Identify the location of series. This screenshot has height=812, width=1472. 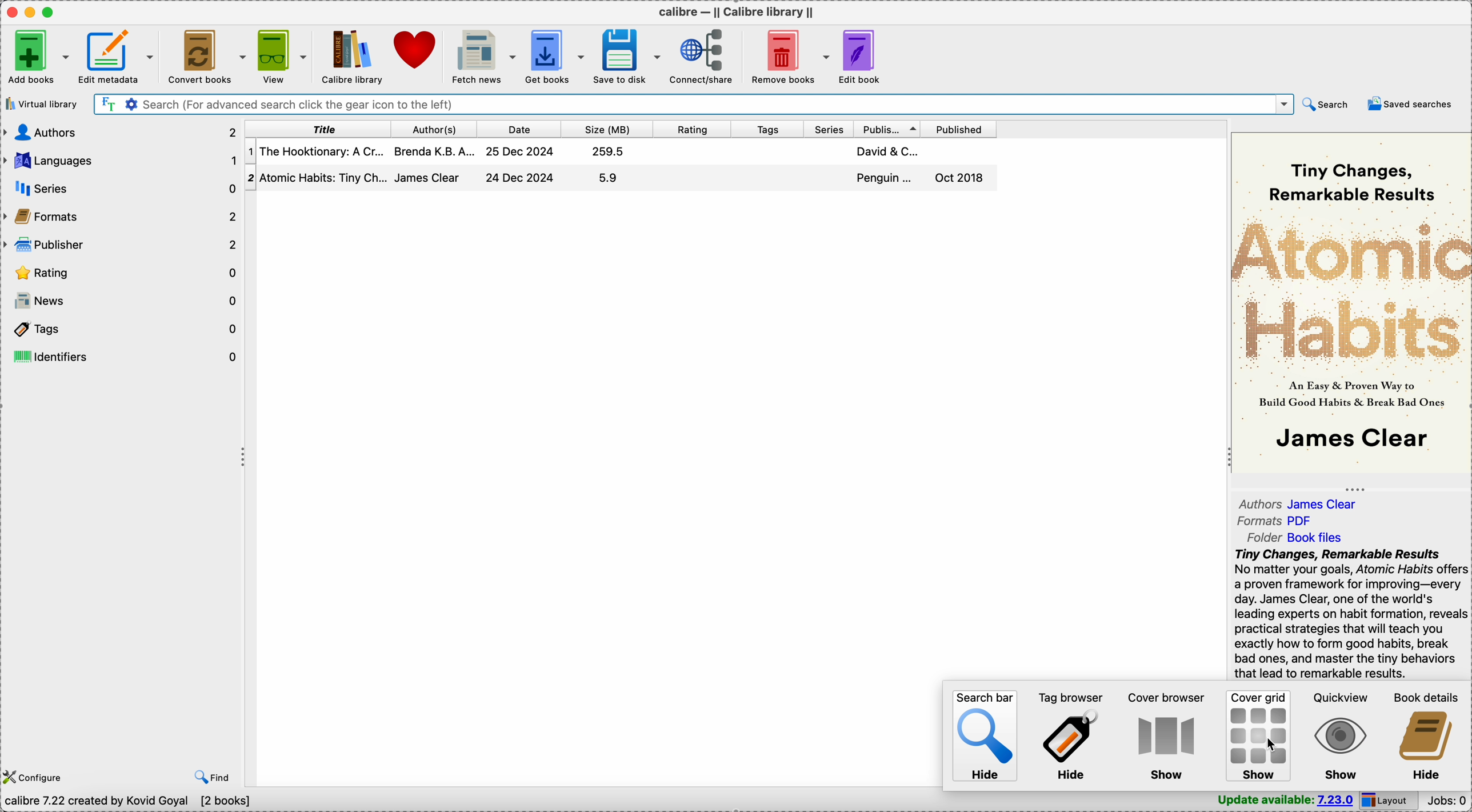
(831, 129).